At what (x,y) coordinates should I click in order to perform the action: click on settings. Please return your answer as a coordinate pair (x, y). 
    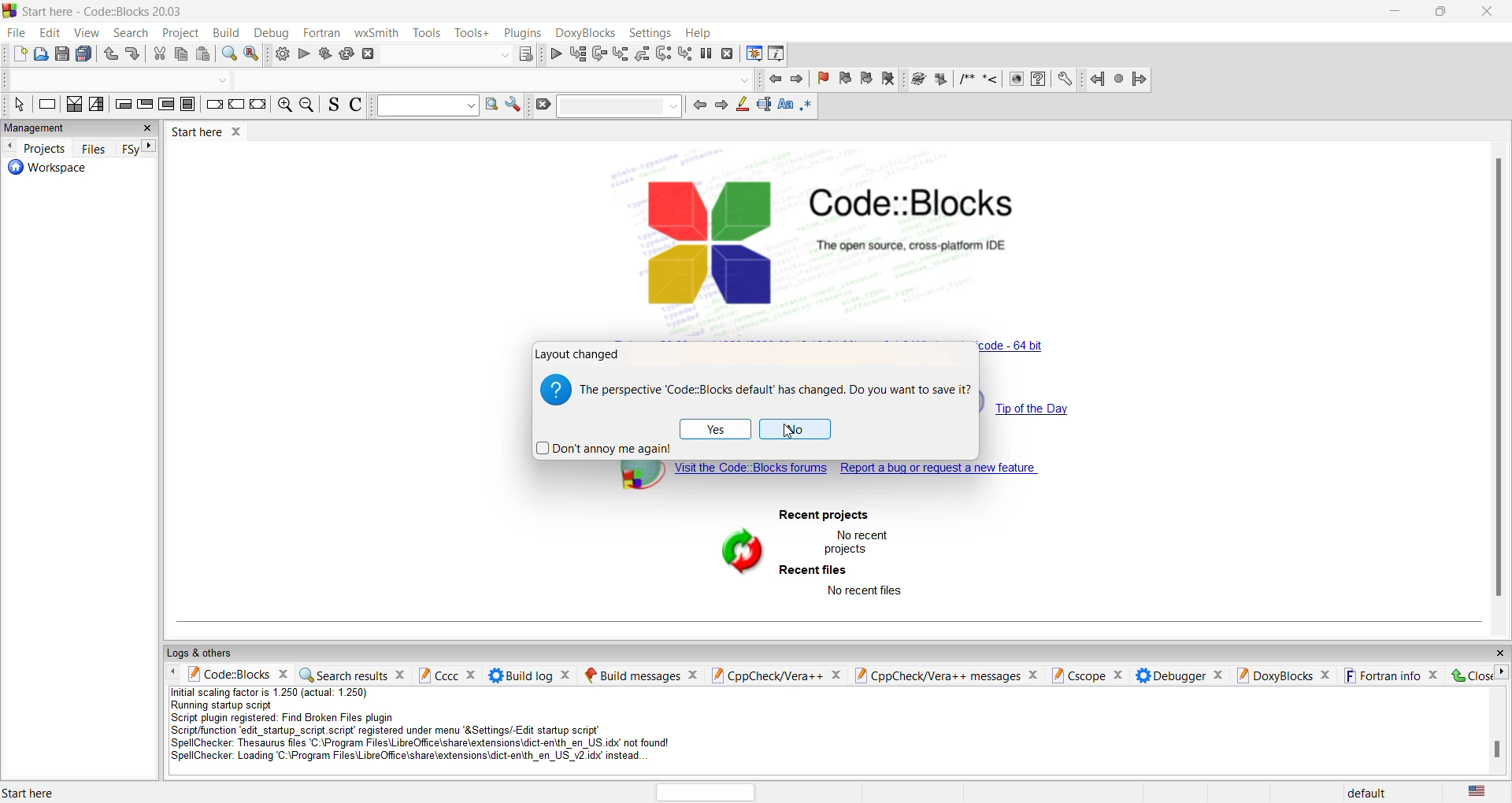
    Looking at the image, I should click on (650, 32).